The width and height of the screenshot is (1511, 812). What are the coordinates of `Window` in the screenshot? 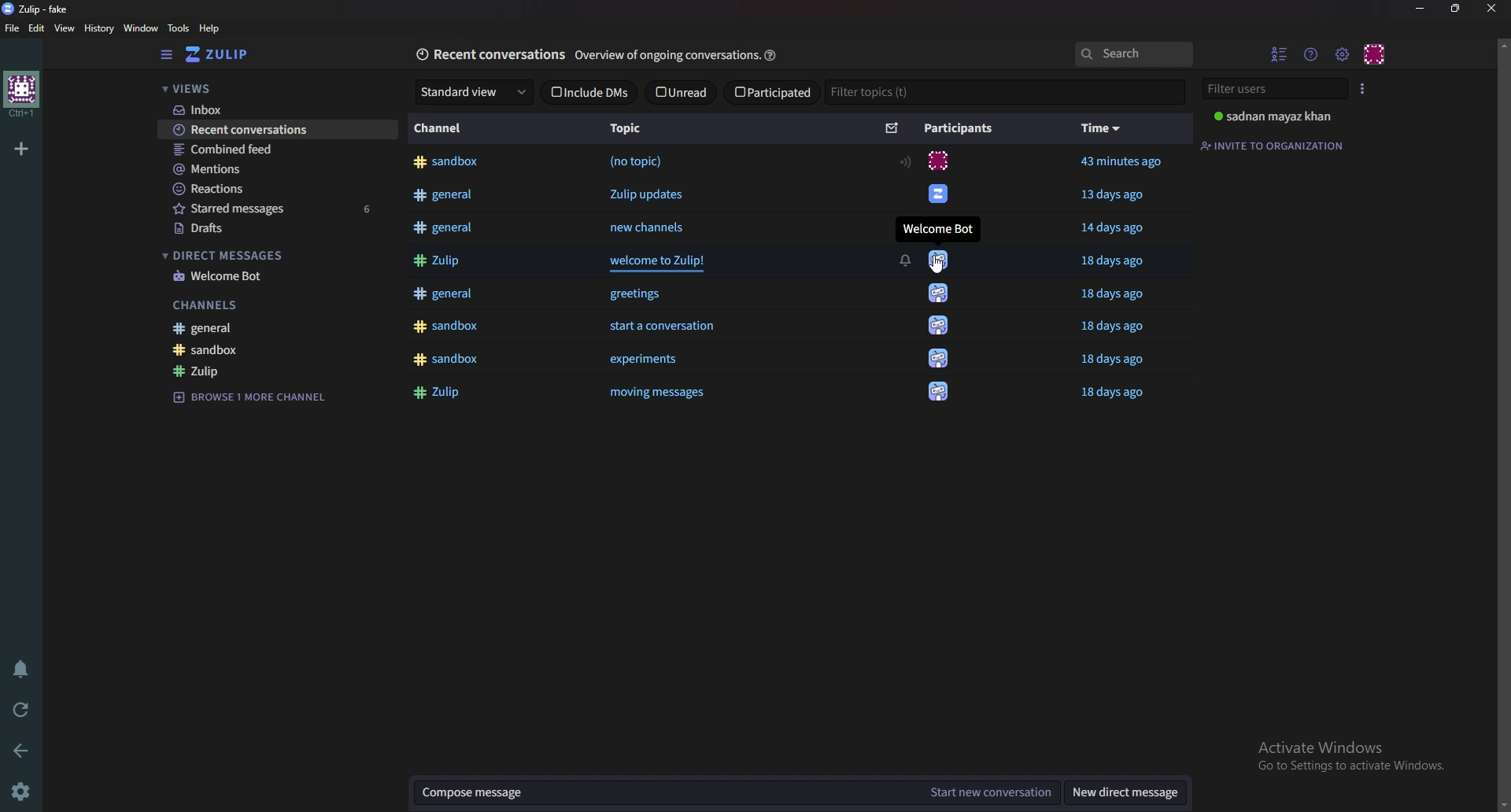 It's located at (141, 28).